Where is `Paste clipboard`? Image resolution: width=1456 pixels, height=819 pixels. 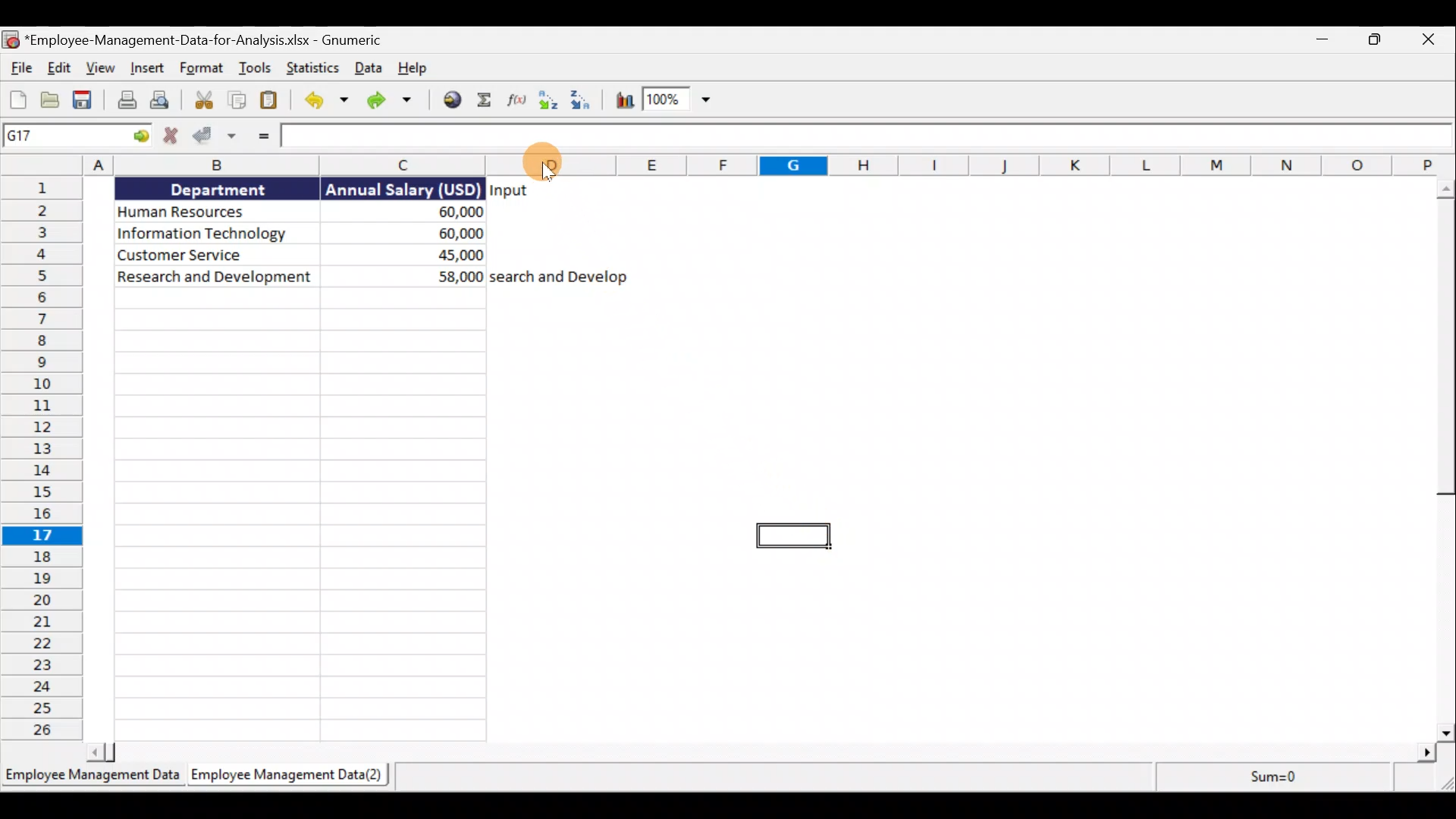 Paste clipboard is located at coordinates (274, 99).